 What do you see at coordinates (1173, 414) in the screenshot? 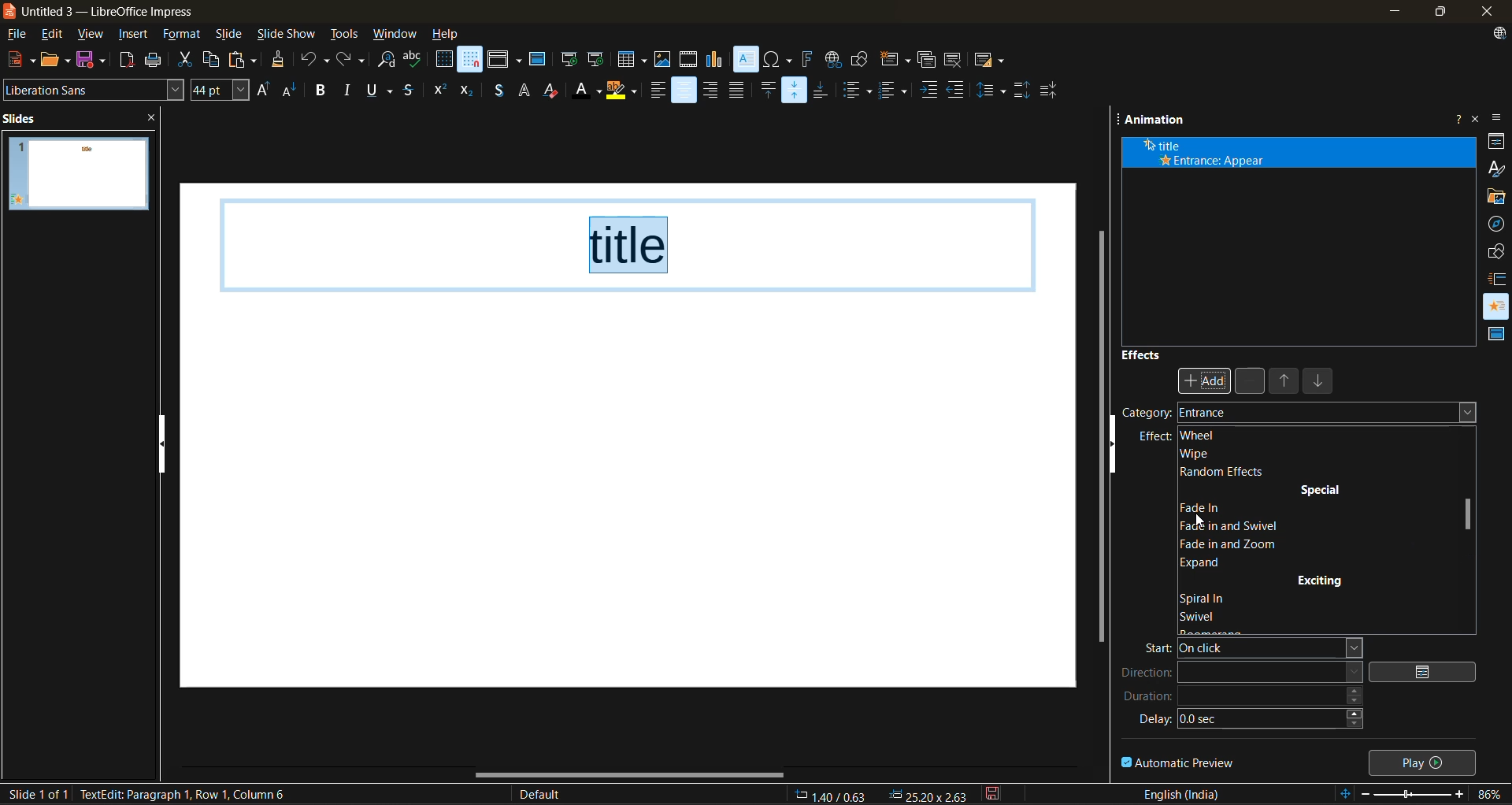
I see `company` at bounding box center [1173, 414].